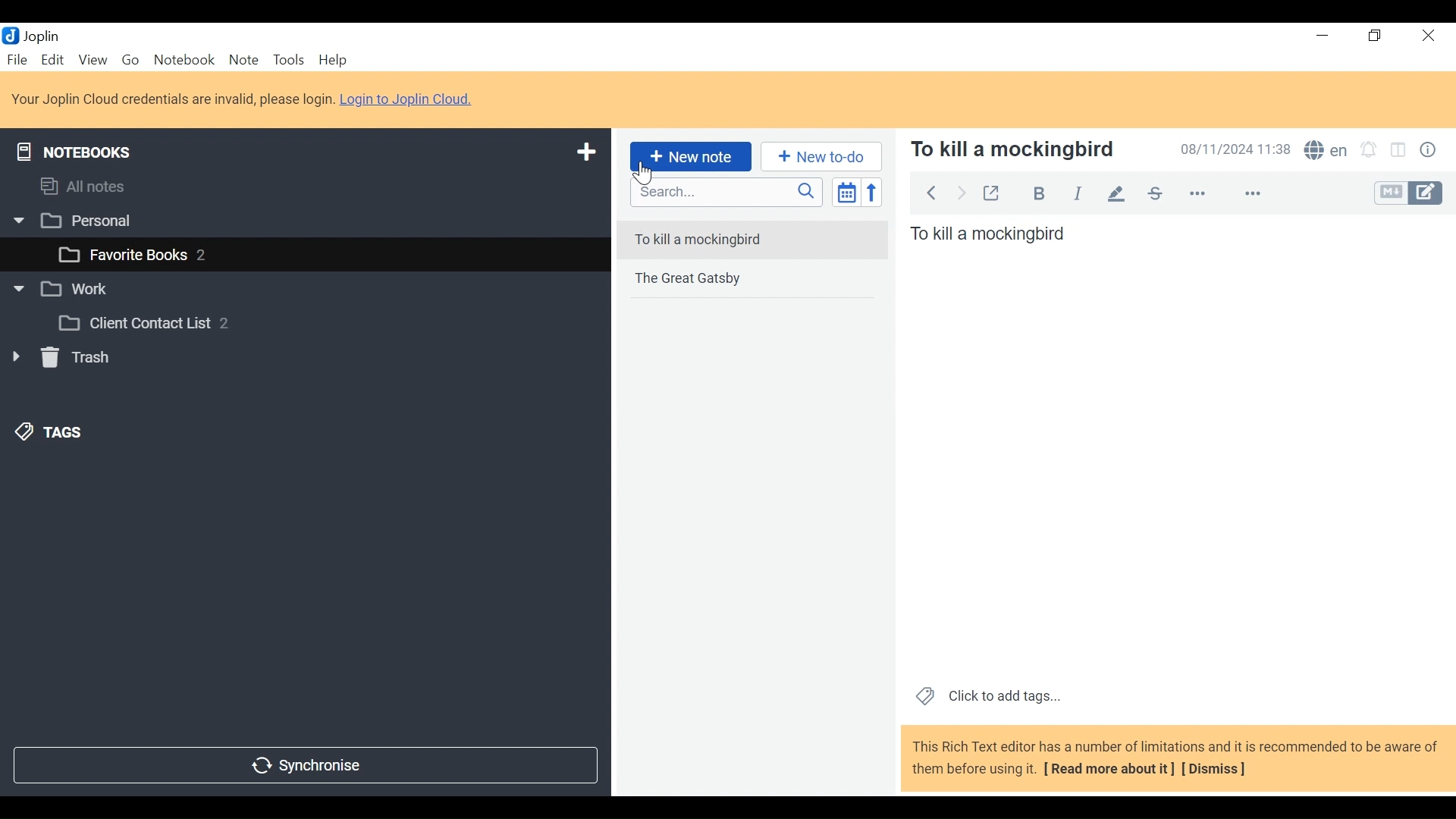 This screenshot has width=1456, height=819. What do you see at coordinates (1376, 35) in the screenshot?
I see `Restore` at bounding box center [1376, 35].